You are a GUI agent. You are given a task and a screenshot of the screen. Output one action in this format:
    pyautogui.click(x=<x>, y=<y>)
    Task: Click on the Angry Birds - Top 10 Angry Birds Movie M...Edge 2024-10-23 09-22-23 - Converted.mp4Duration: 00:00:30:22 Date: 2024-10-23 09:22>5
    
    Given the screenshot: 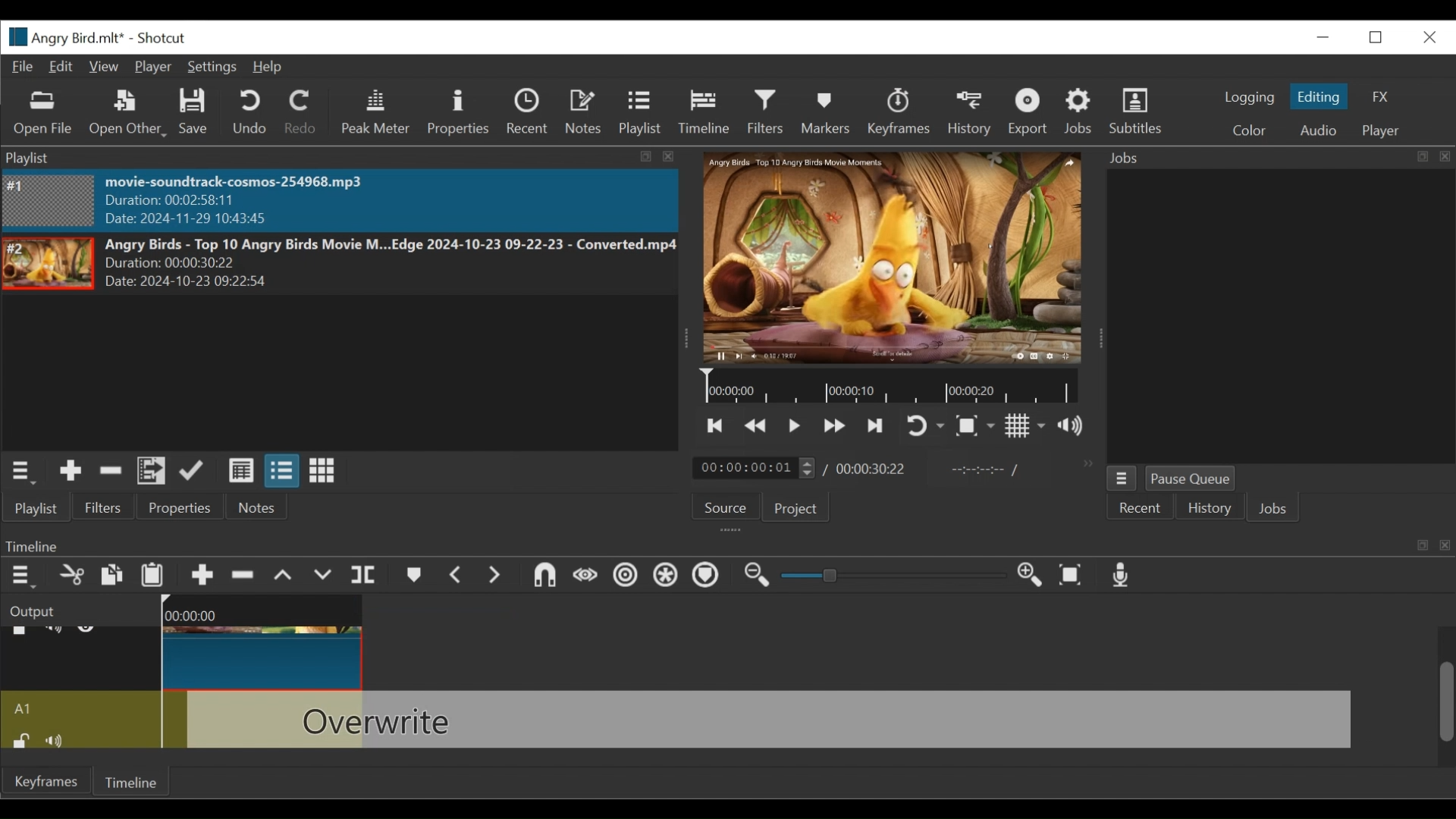 What is the action you would take?
    pyautogui.click(x=390, y=264)
    